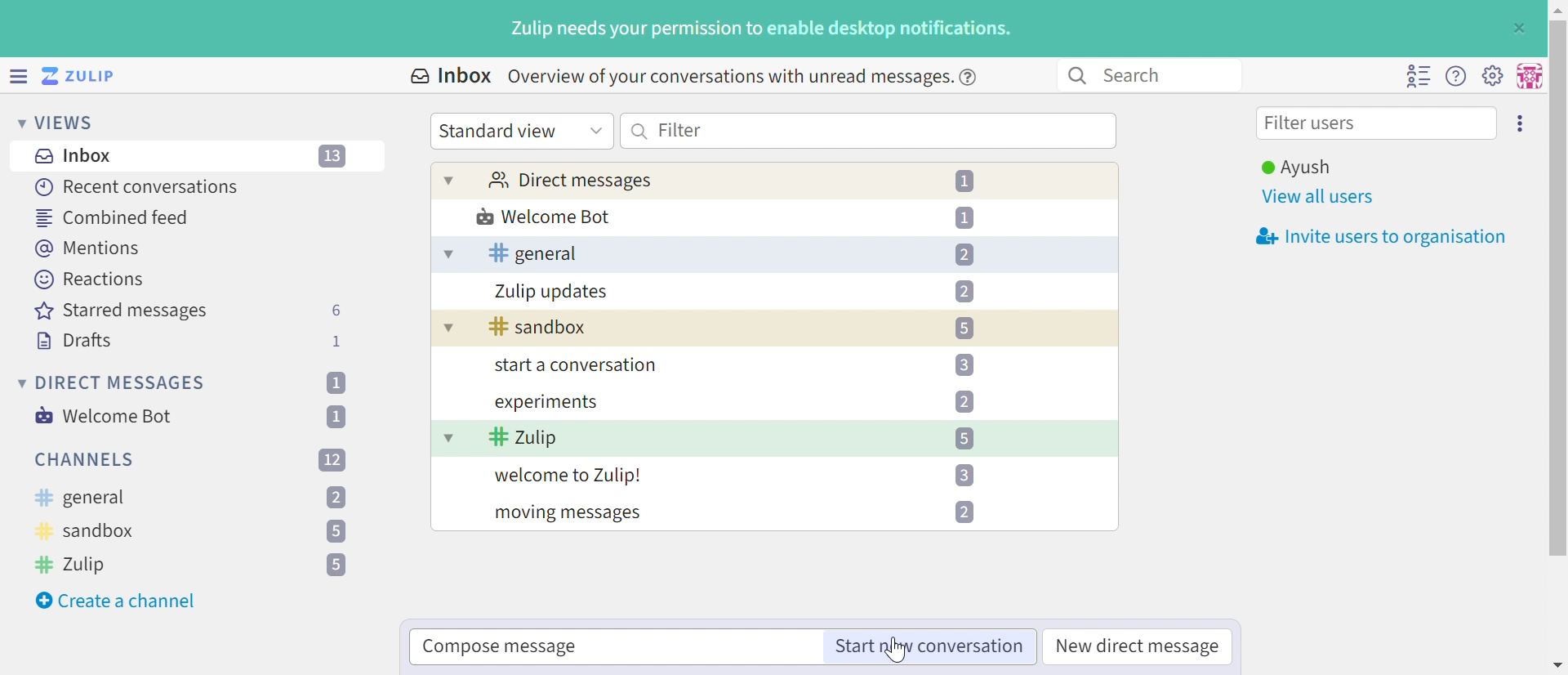 This screenshot has height=675, width=1568. Describe the element at coordinates (680, 129) in the screenshot. I see `Filter` at that location.